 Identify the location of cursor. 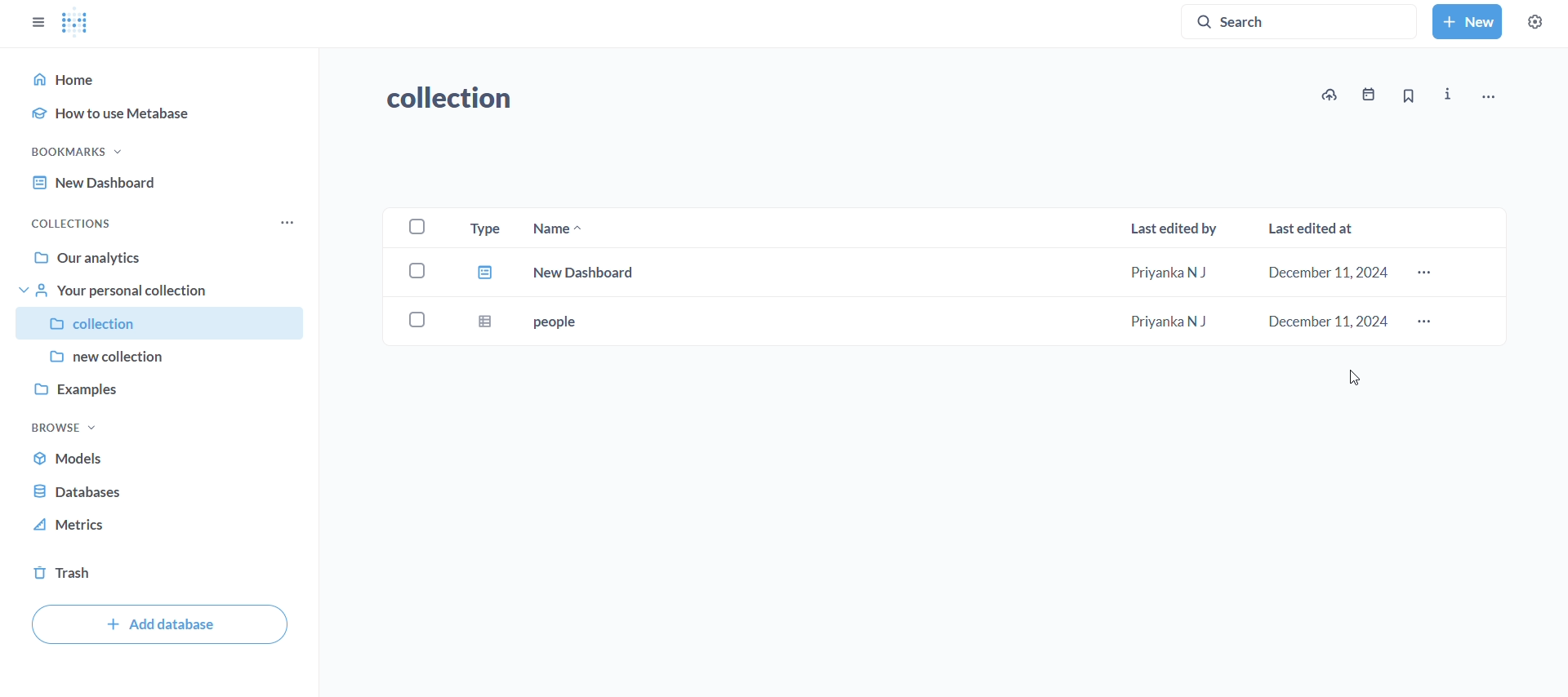
(1357, 380).